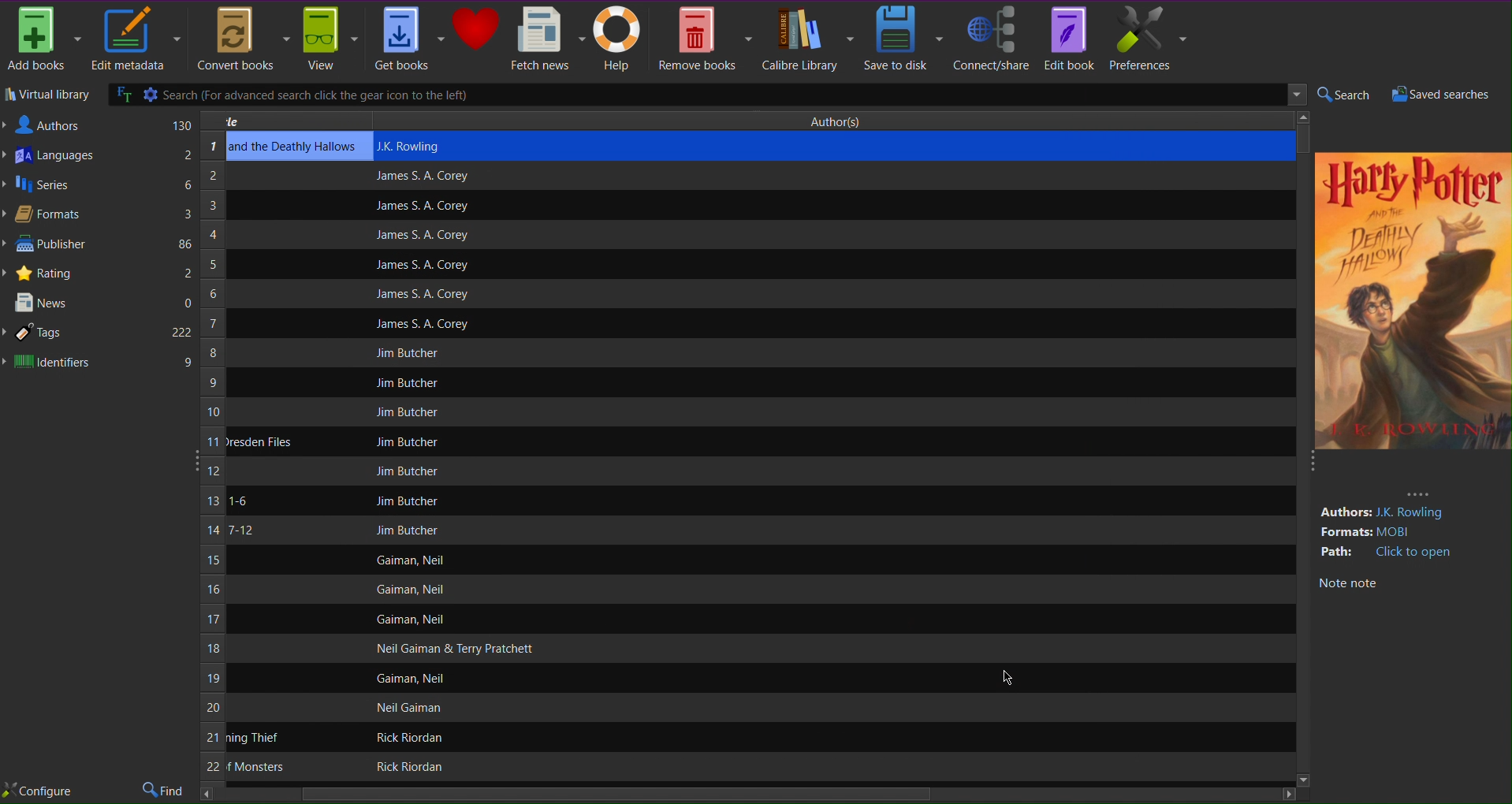 The width and height of the screenshot is (1512, 804). What do you see at coordinates (135, 40) in the screenshot?
I see `Edit metadata` at bounding box center [135, 40].